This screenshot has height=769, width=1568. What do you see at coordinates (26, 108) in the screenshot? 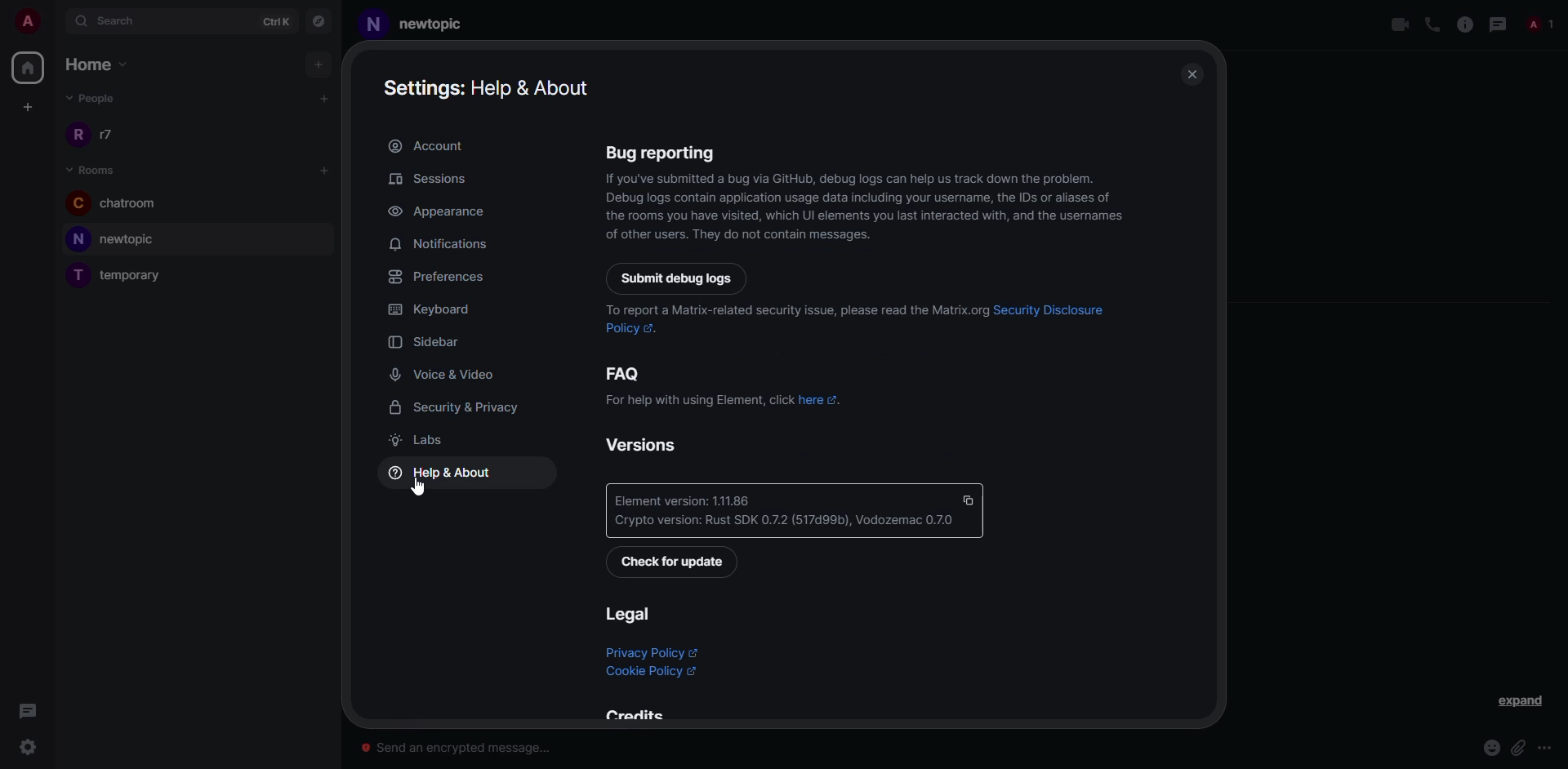
I see `create space` at bounding box center [26, 108].